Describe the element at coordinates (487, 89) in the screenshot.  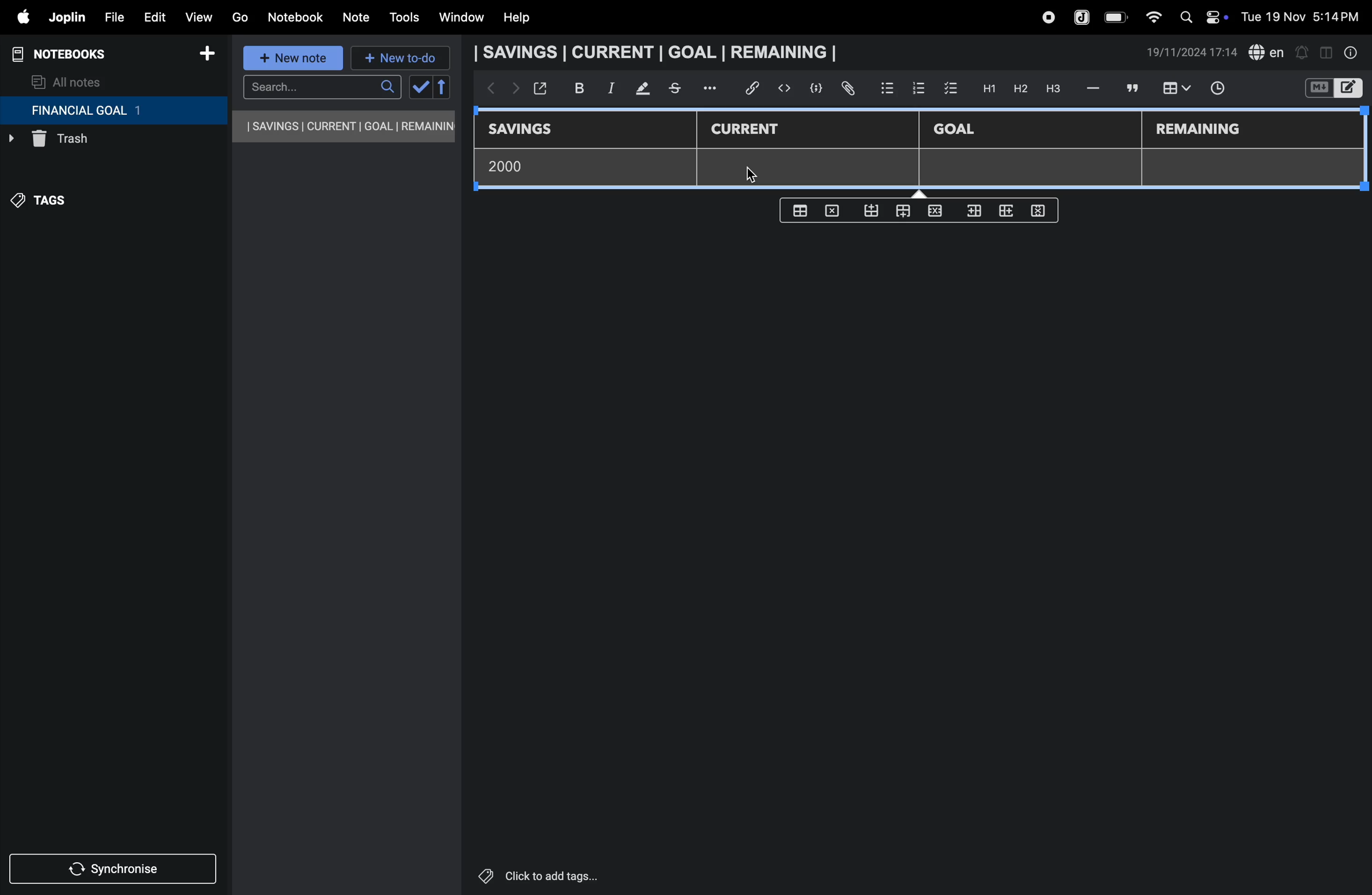
I see `backward` at that location.